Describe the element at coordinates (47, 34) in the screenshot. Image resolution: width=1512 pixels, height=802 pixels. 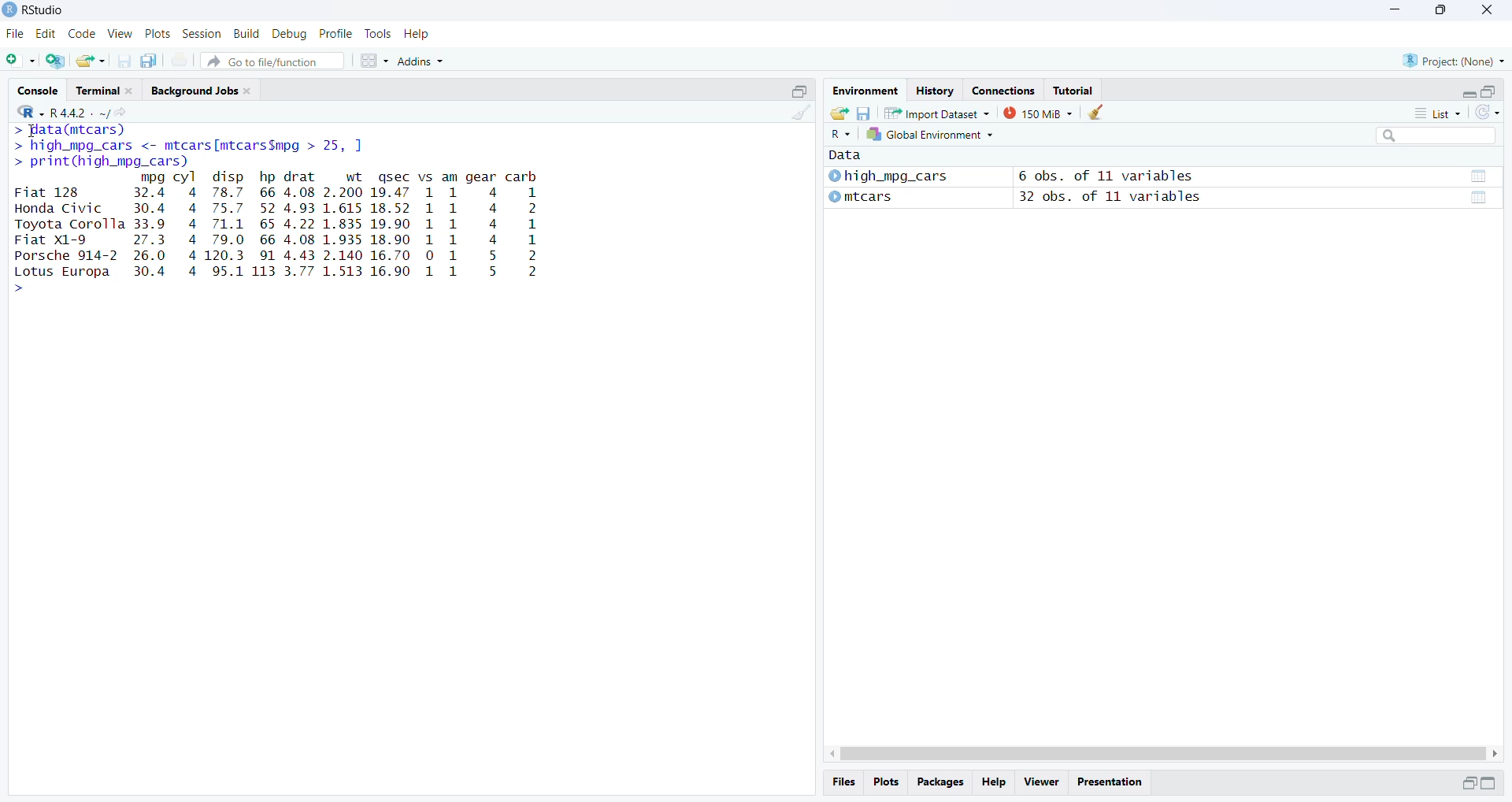
I see `Edit` at that location.